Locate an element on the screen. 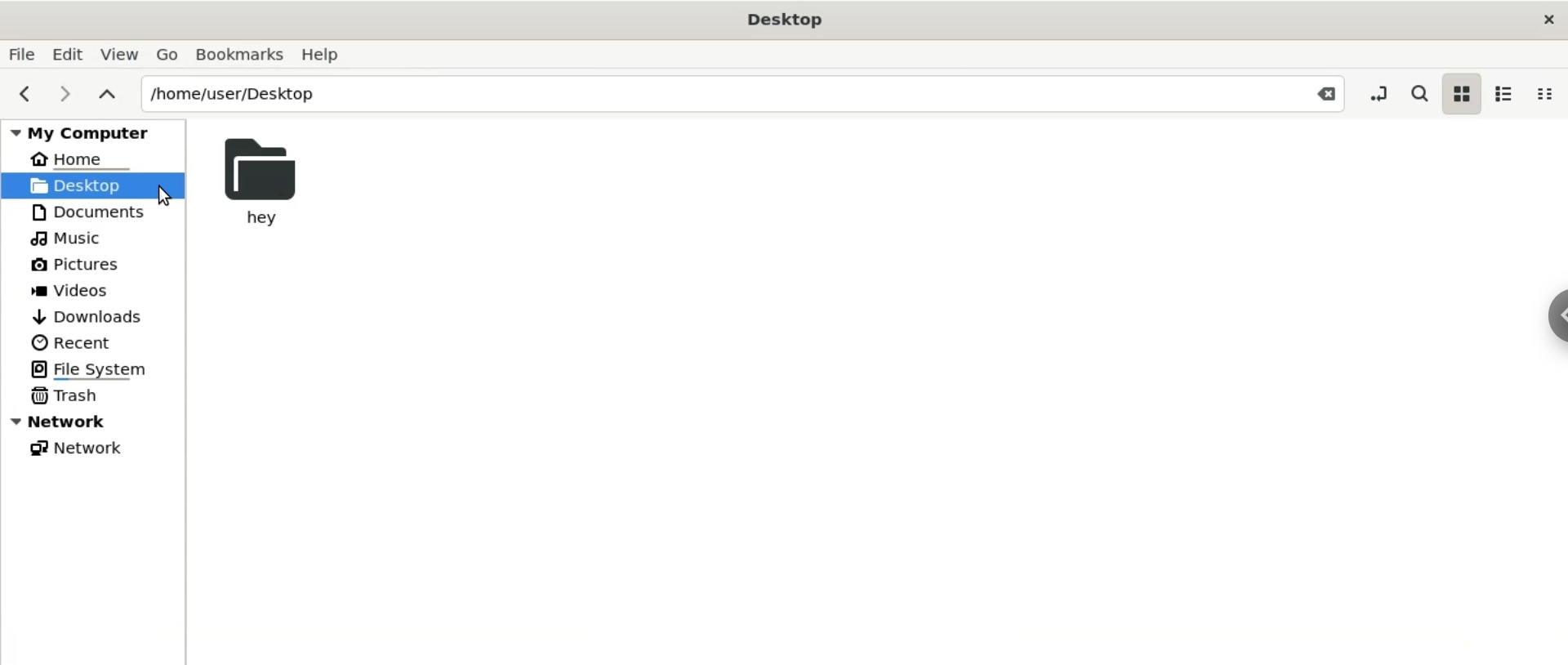 The height and width of the screenshot is (665, 1568). Network is located at coordinates (78, 452).